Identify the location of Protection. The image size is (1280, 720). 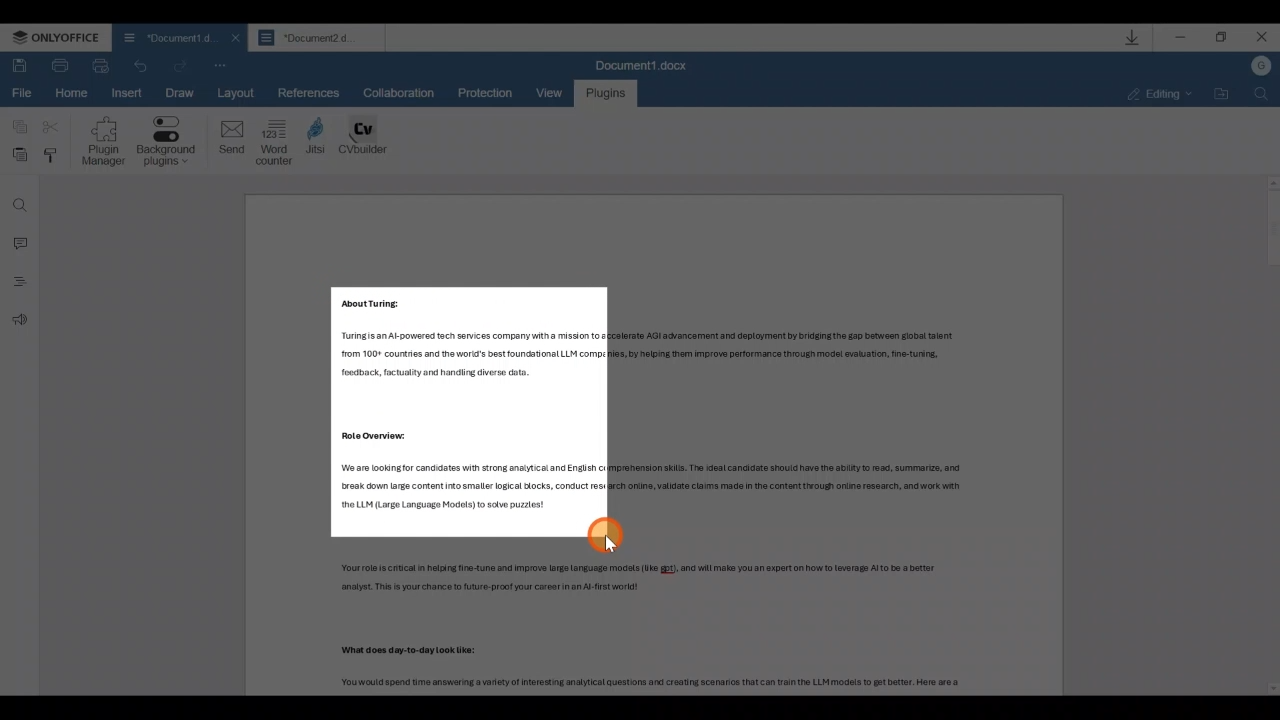
(492, 93).